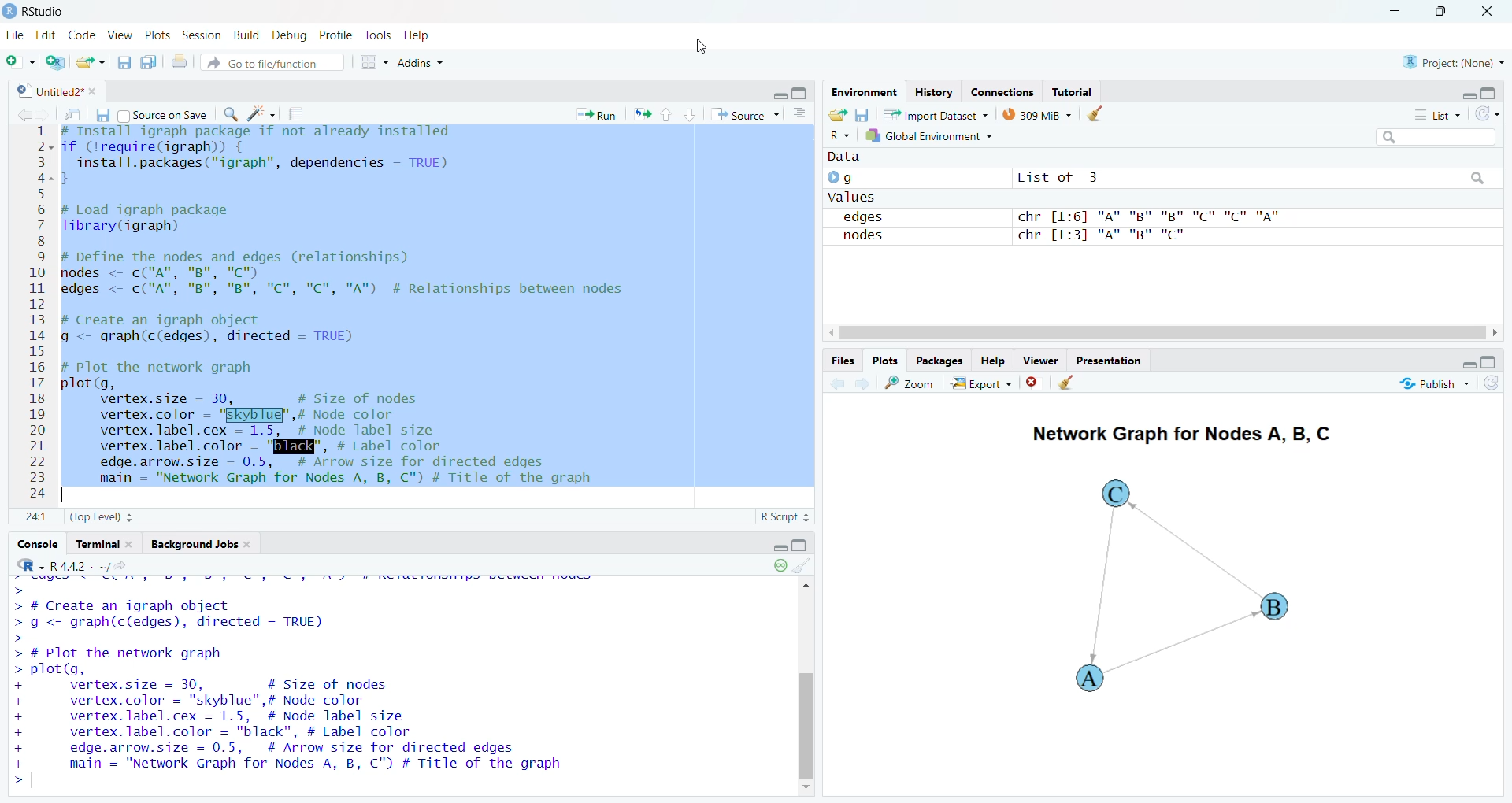  What do you see at coordinates (863, 114) in the screenshot?
I see `save` at bounding box center [863, 114].